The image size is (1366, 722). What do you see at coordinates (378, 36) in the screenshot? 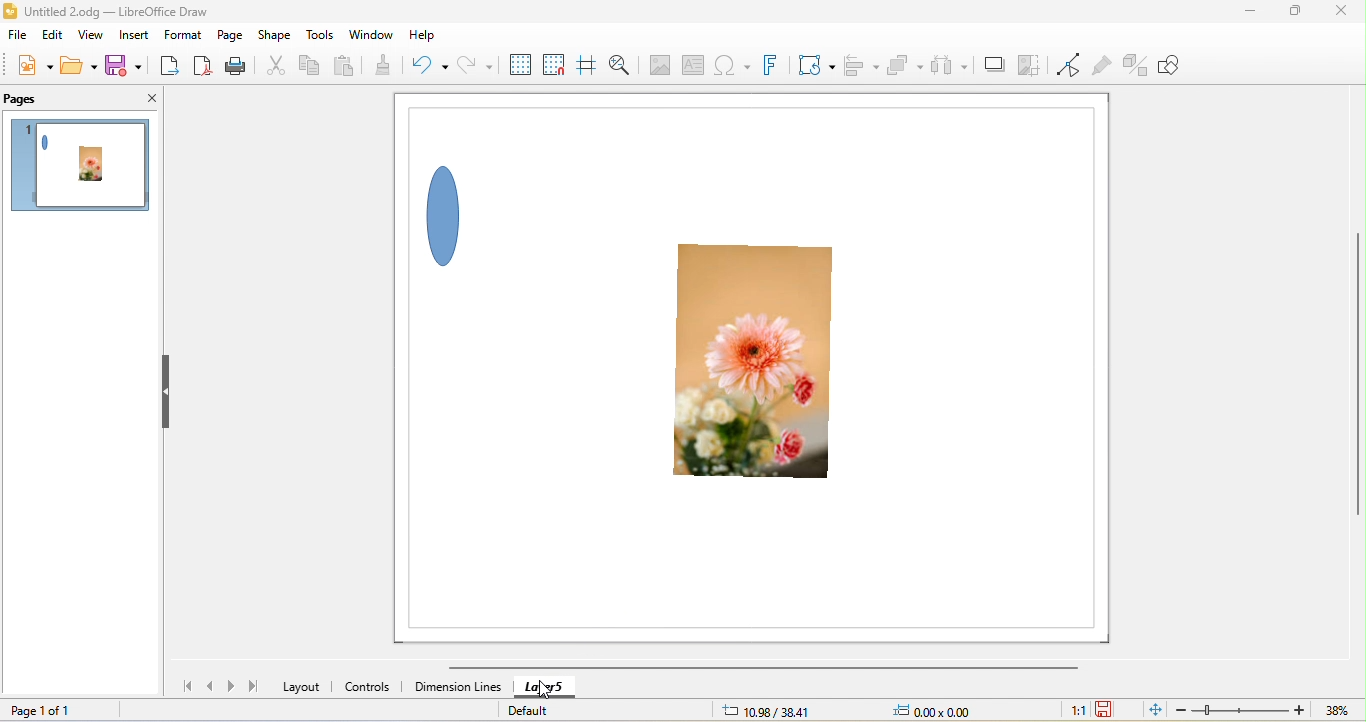
I see `window` at bounding box center [378, 36].